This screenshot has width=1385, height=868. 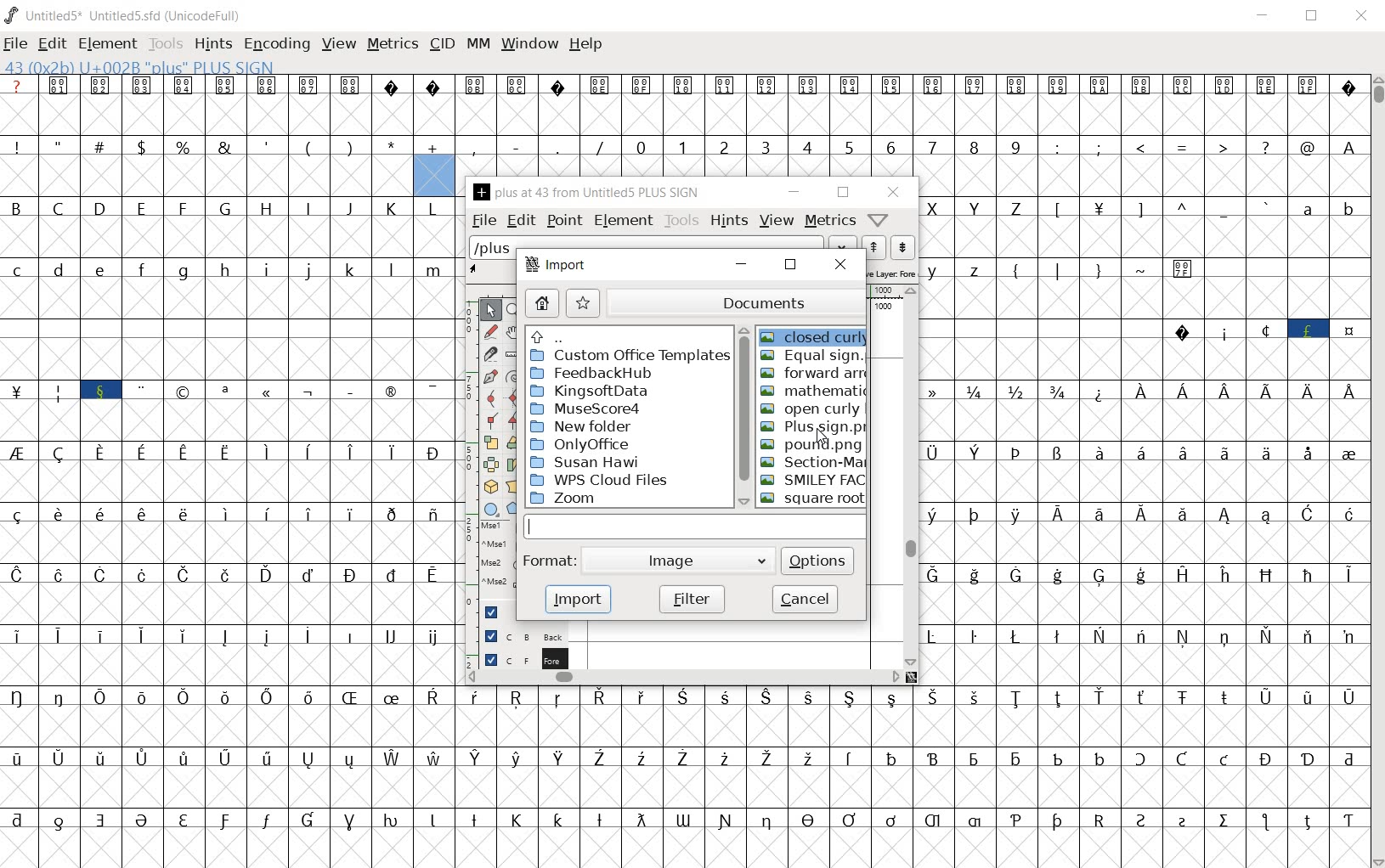 What do you see at coordinates (684, 676) in the screenshot?
I see `scrollbar` at bounding box center [684, 676].